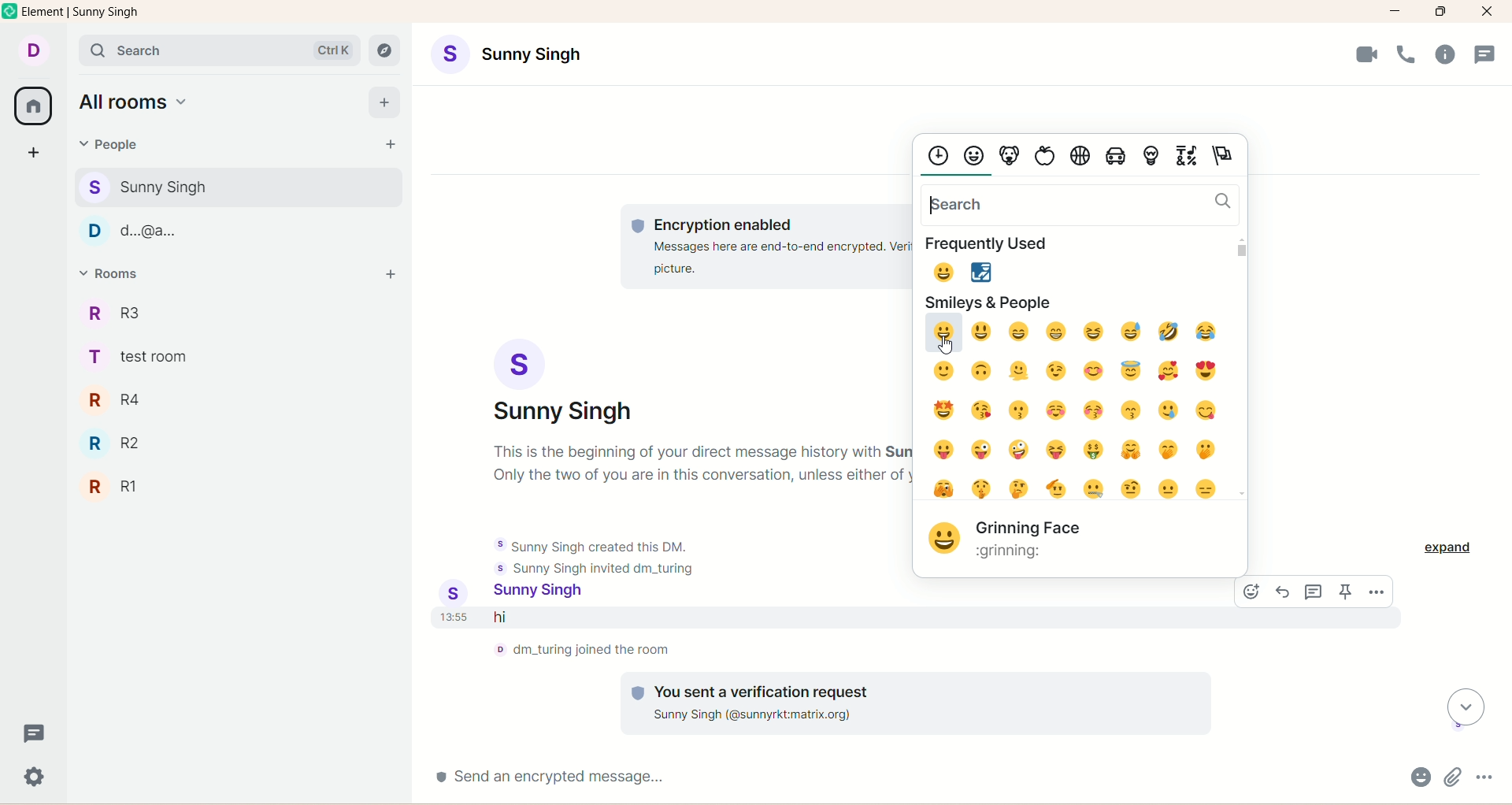  What do you see at coordinates (114, 273) in the screenshot?
I see `rooms` at bounding box center [114, 273].